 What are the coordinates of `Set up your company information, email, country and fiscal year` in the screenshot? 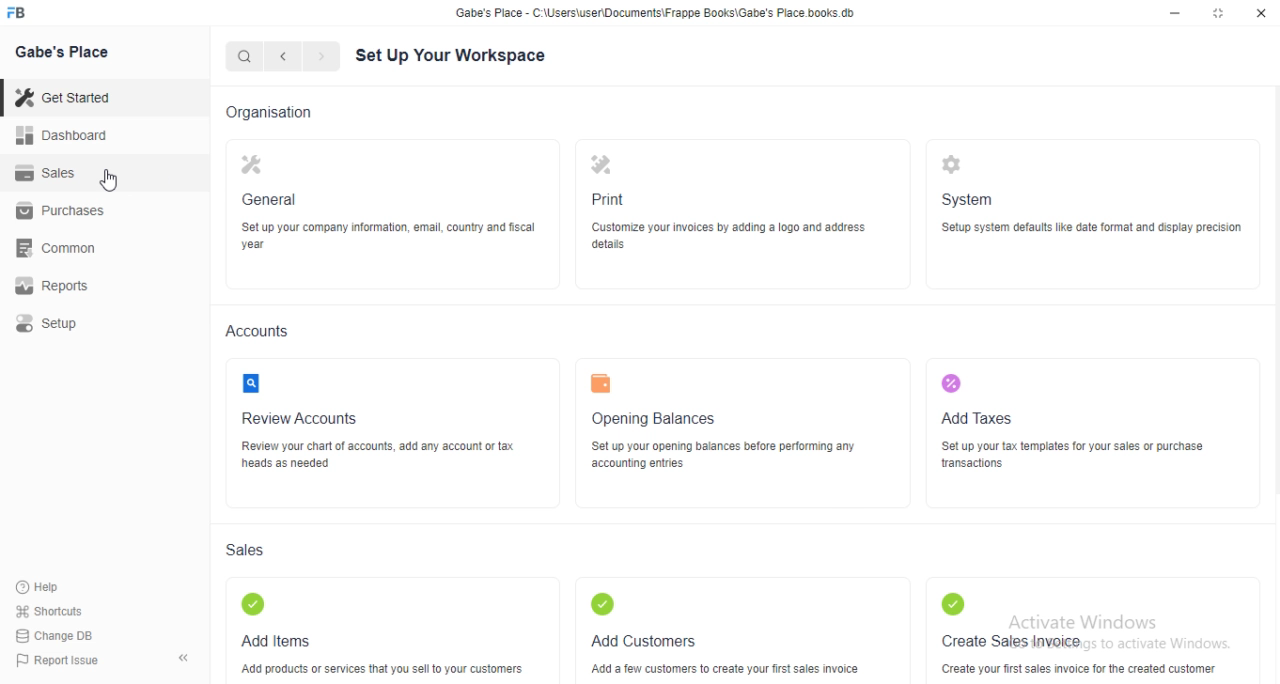 It's located at (387, 235).